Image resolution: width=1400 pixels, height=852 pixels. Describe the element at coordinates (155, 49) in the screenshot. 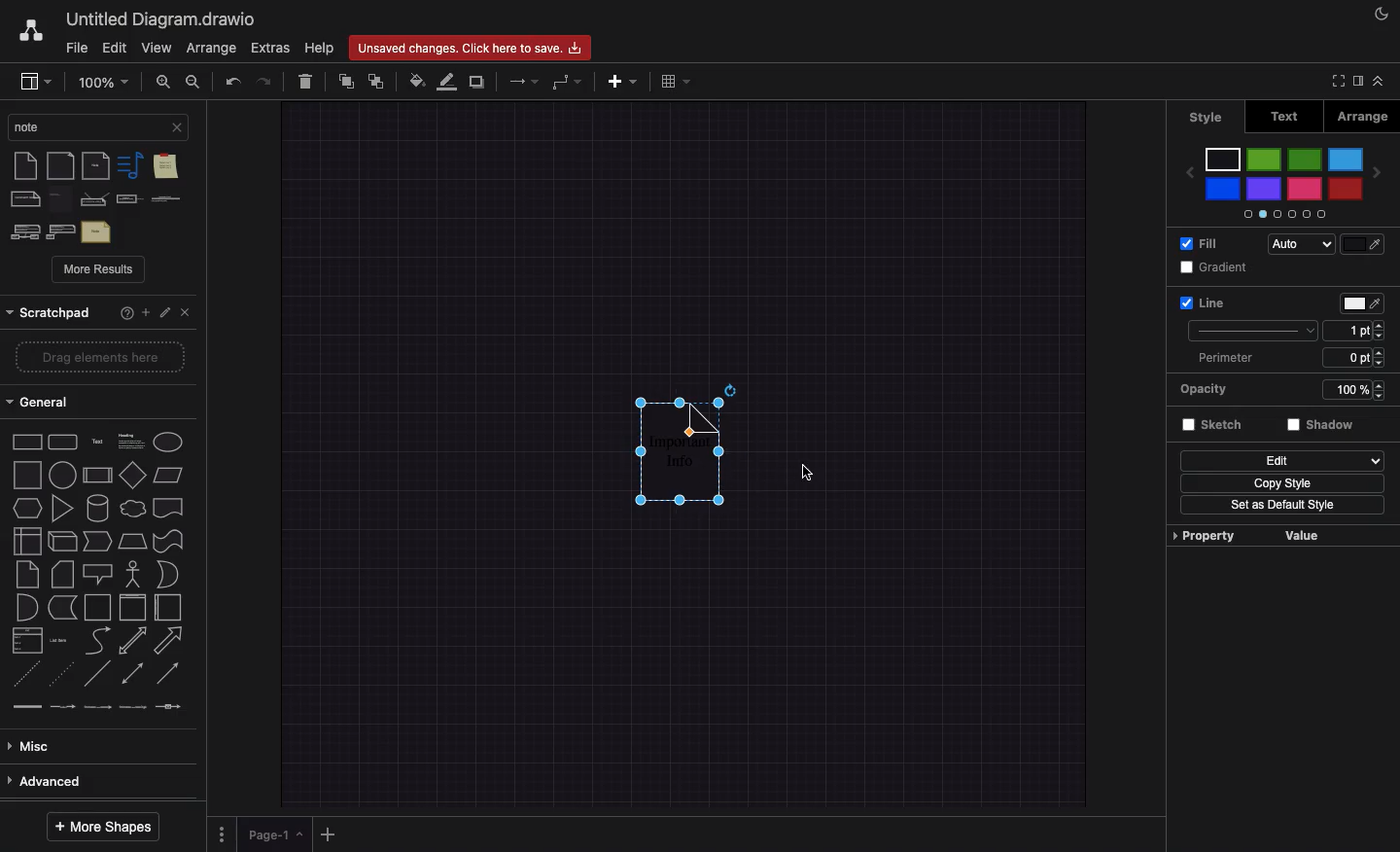

I see `View` at that location.